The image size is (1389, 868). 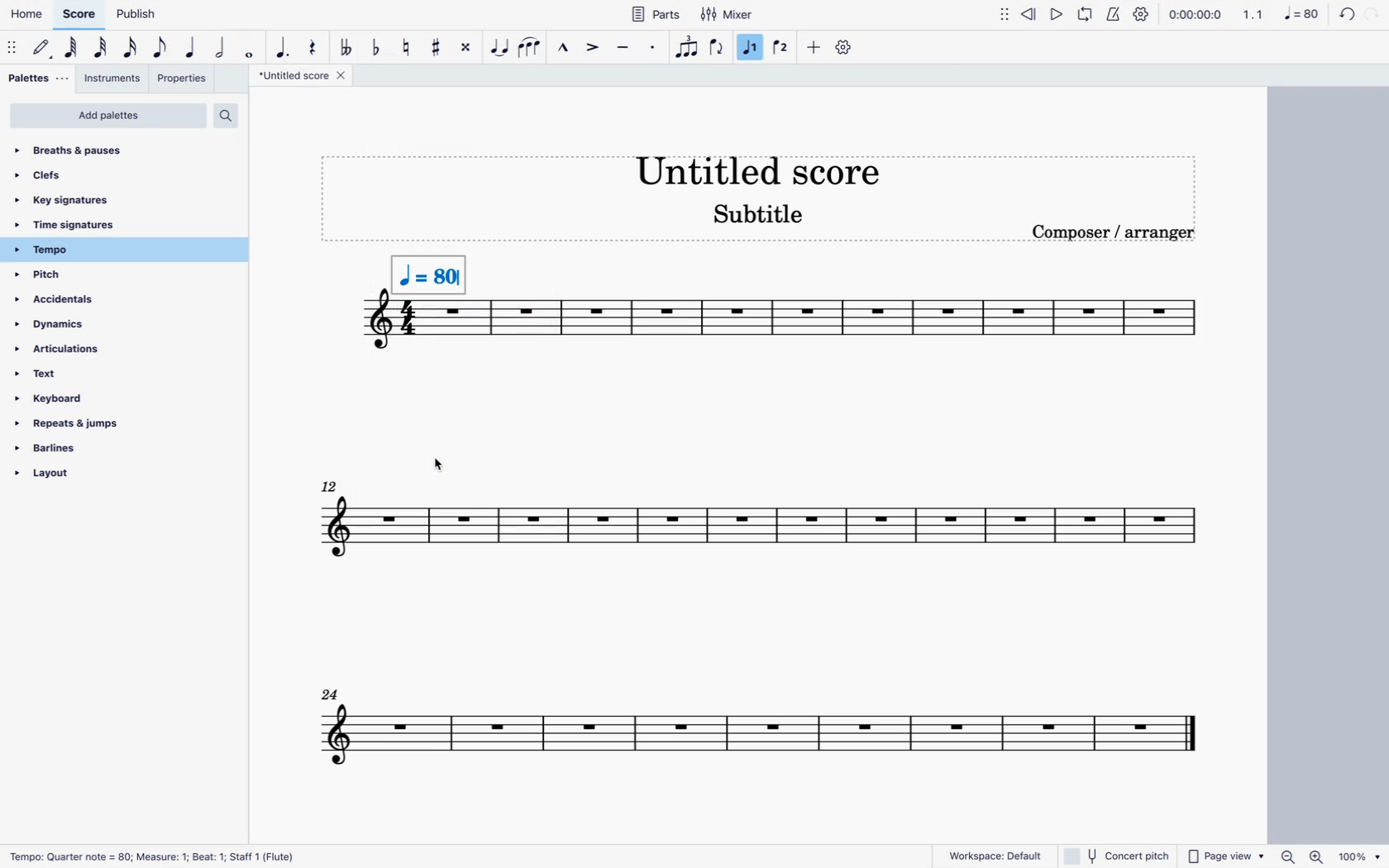 I want to click on search, so click(x=231, y=116).